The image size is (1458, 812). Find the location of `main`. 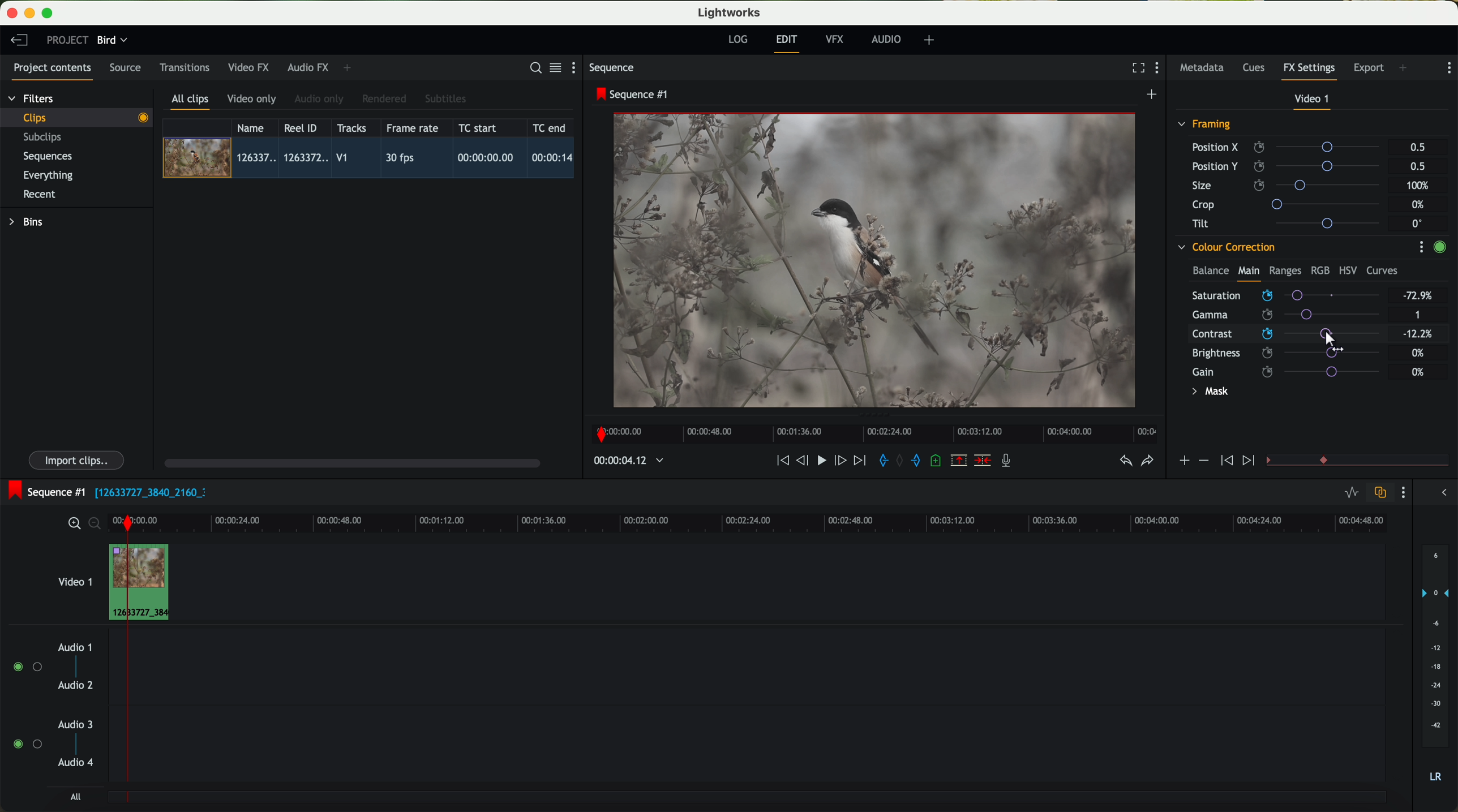

main is located at coordinates (1249, 273).